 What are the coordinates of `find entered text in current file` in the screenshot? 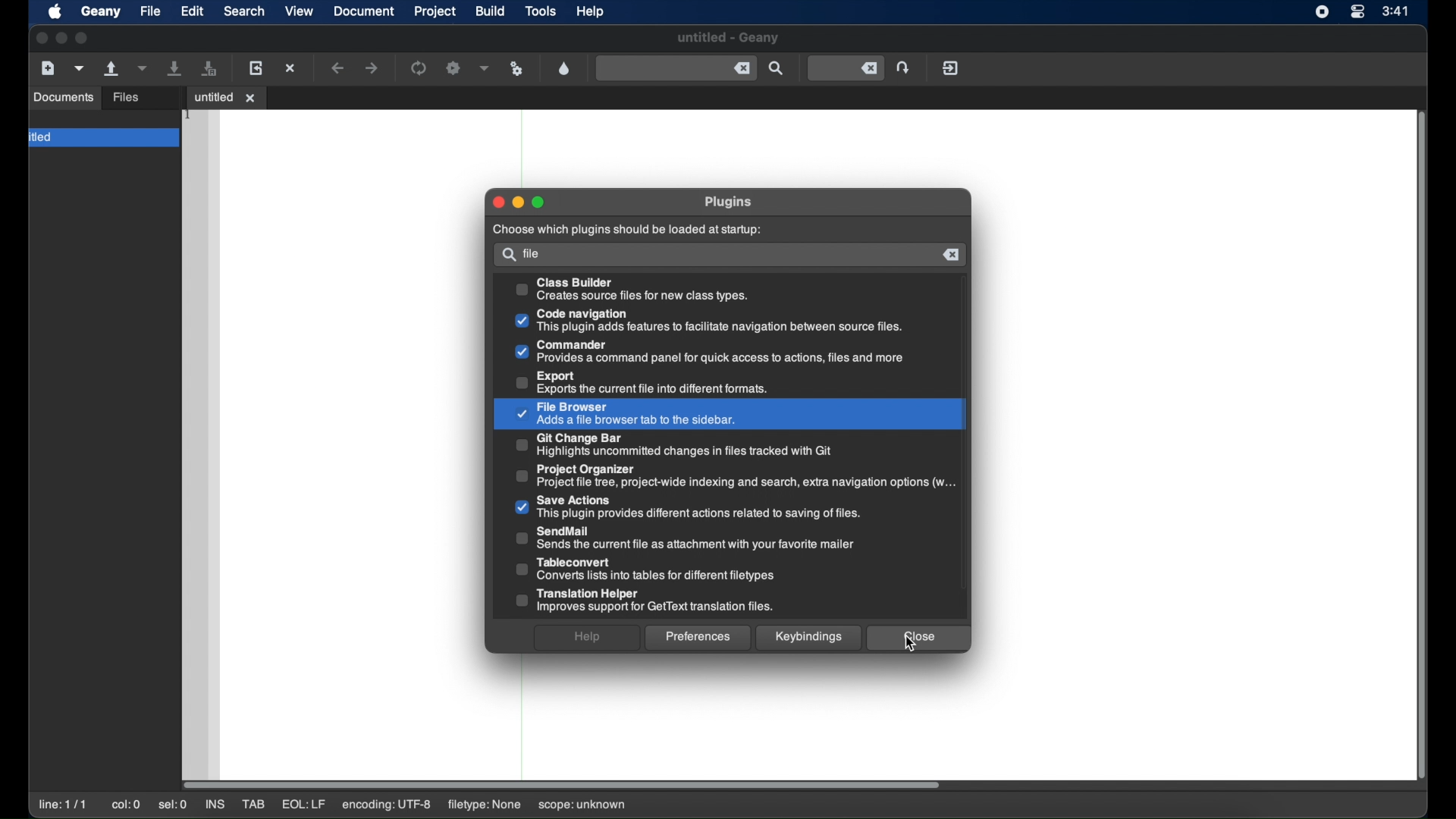 It's located at (676, 69).